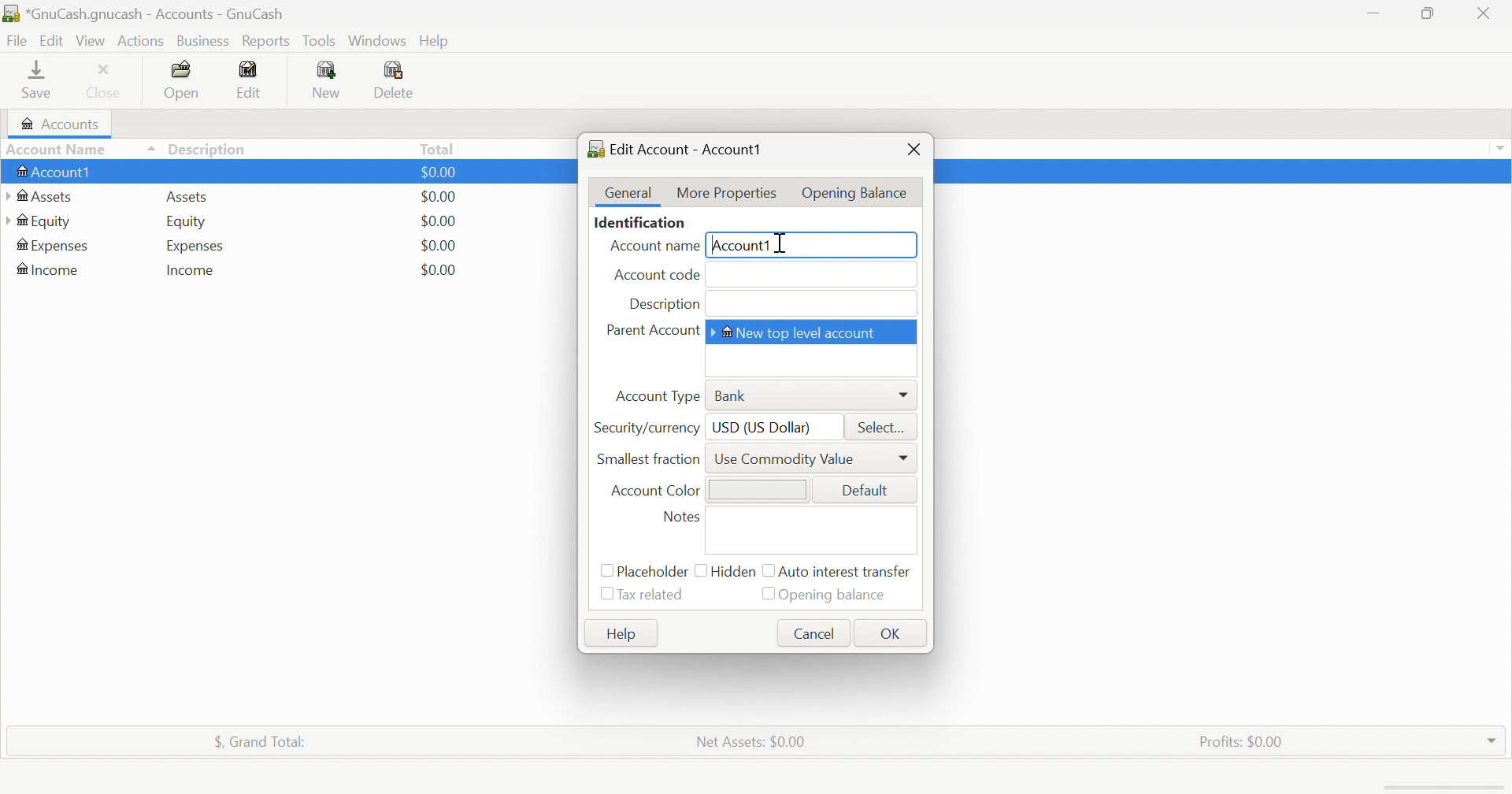 The width and height of the screenshot is (1512, 794). Describe the element at coordinates (654, 492) in the screenshot. I see `Account Color` at that location.